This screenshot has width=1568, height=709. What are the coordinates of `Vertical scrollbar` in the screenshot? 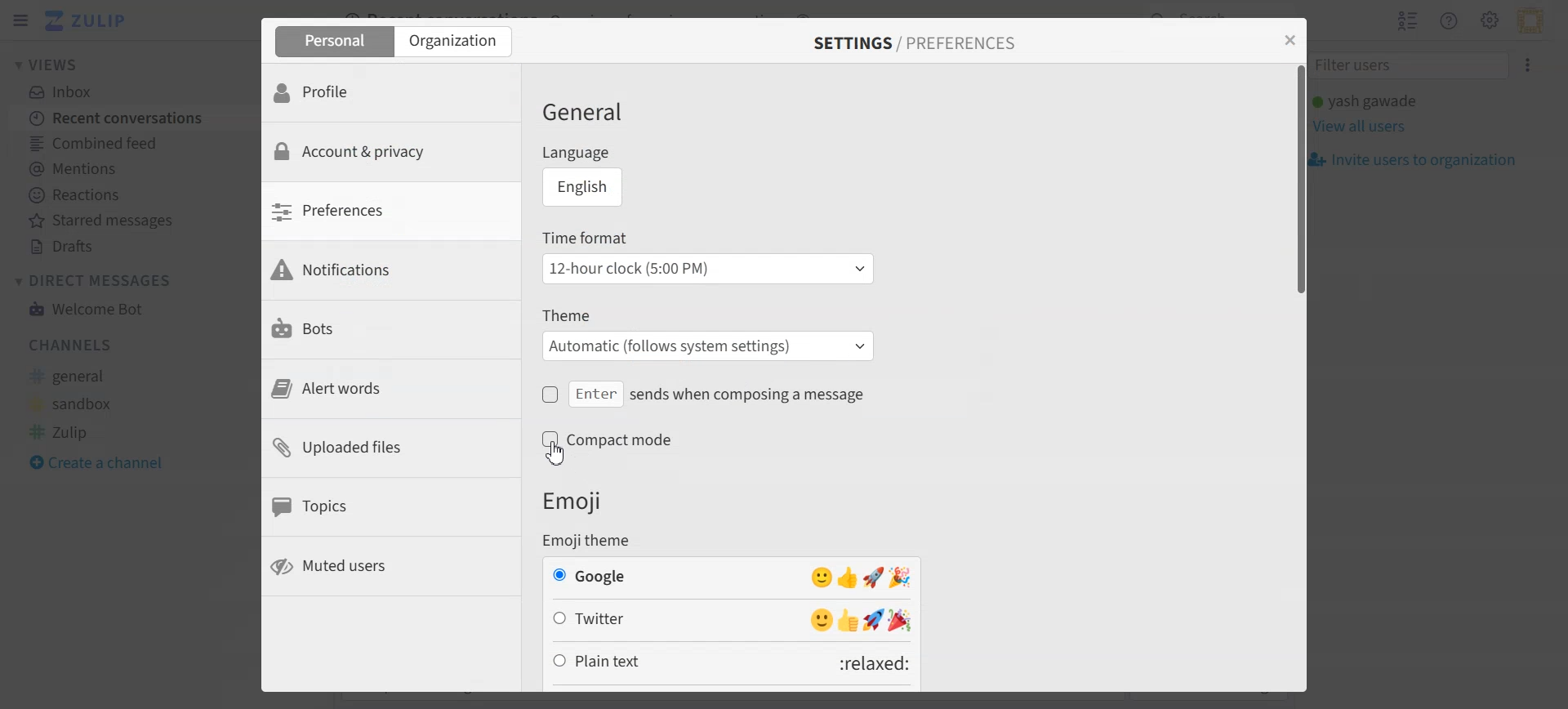 It's located at (1297, 377).